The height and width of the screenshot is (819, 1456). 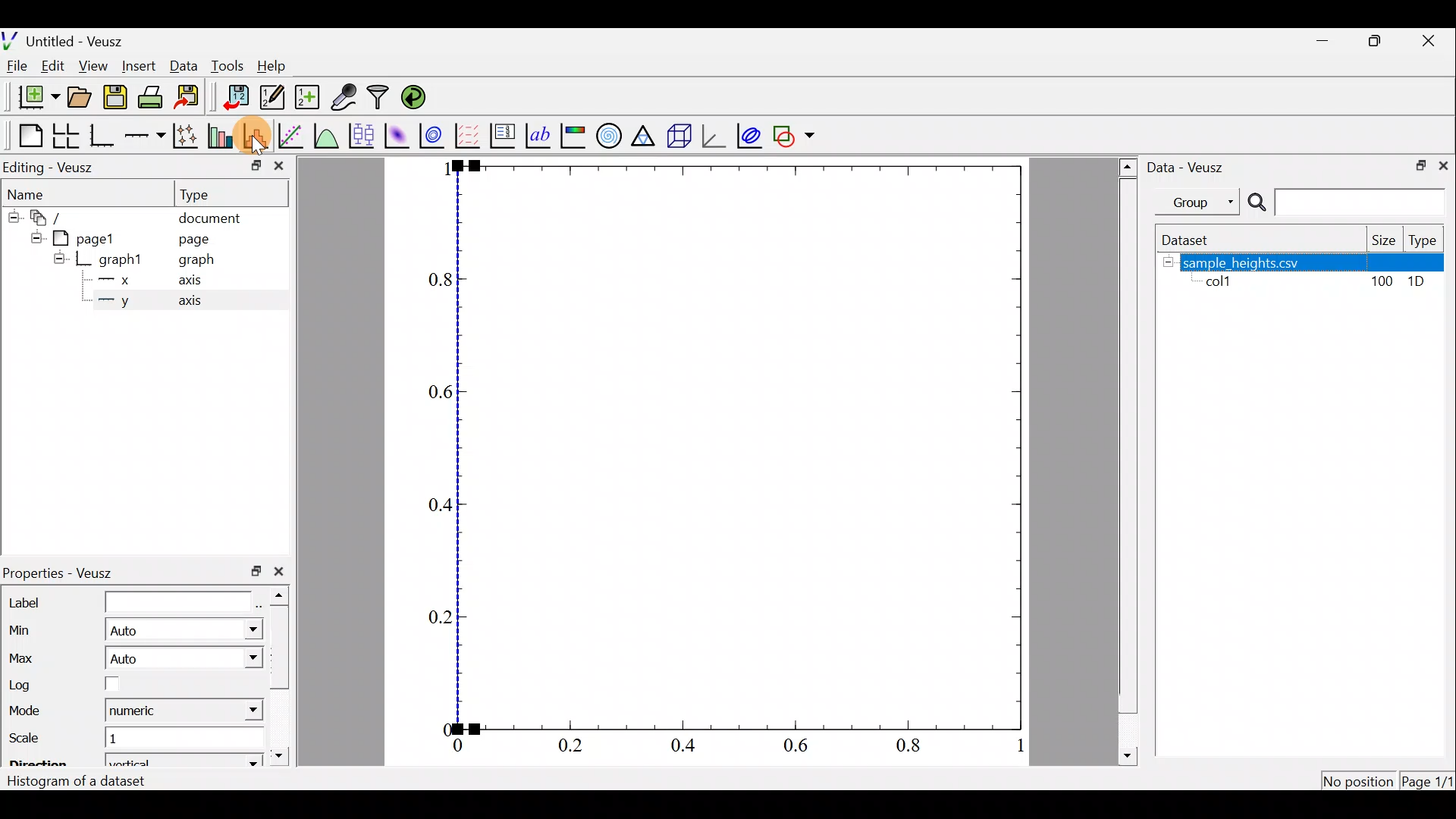 What do you see at coordinates (420, 97) in the screenshot?
I see `reload linked datasets` at bounding box center [420, 97].